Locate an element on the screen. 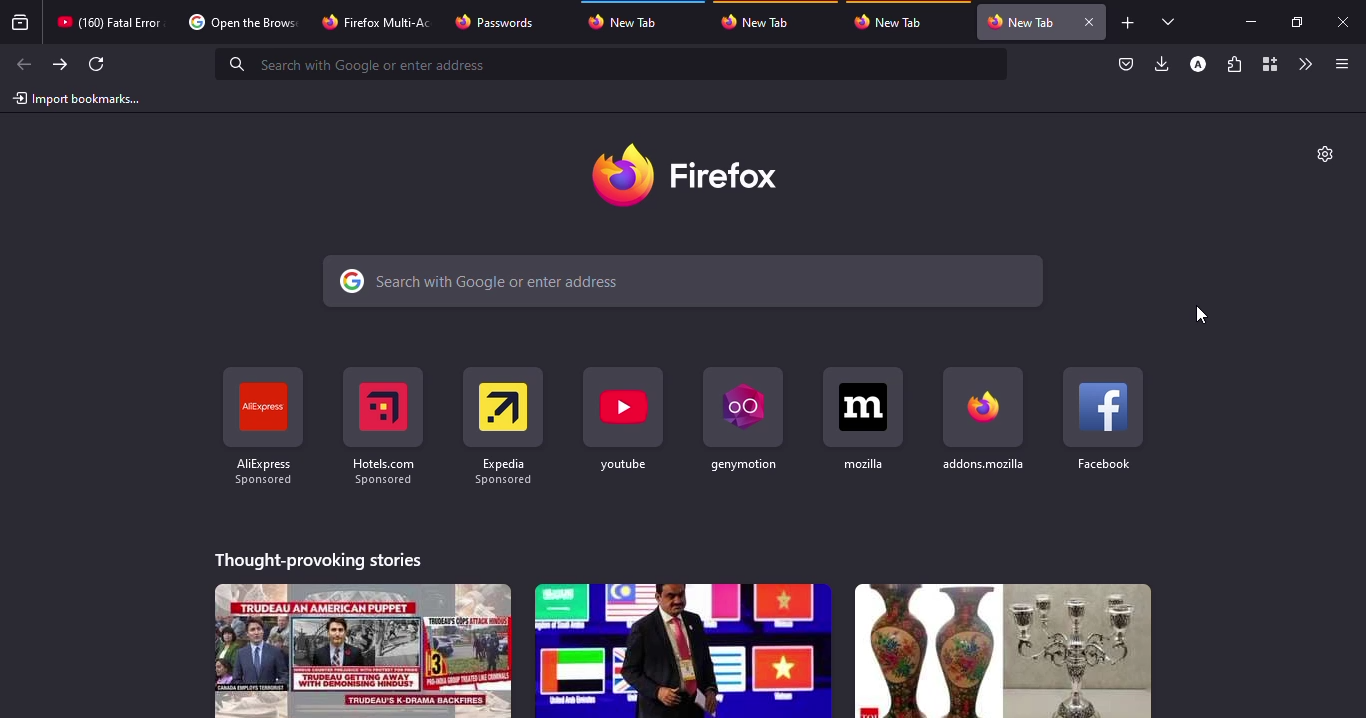  maximize is located at coordinates (1295, 22).